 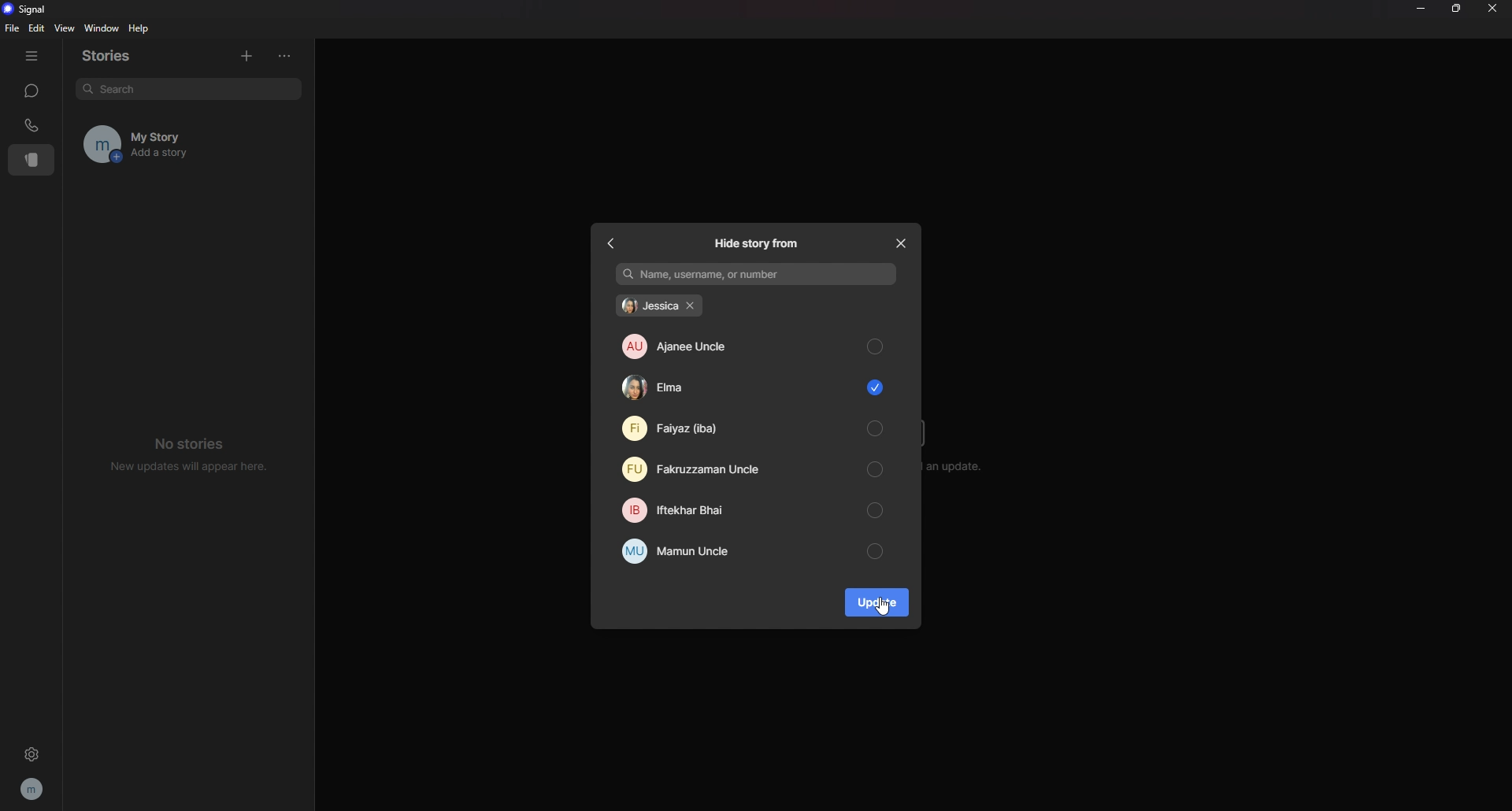 What do you see at coordinates (1492, 7) in the screenshot?
I see `close` at bounding box center [1492, 7].